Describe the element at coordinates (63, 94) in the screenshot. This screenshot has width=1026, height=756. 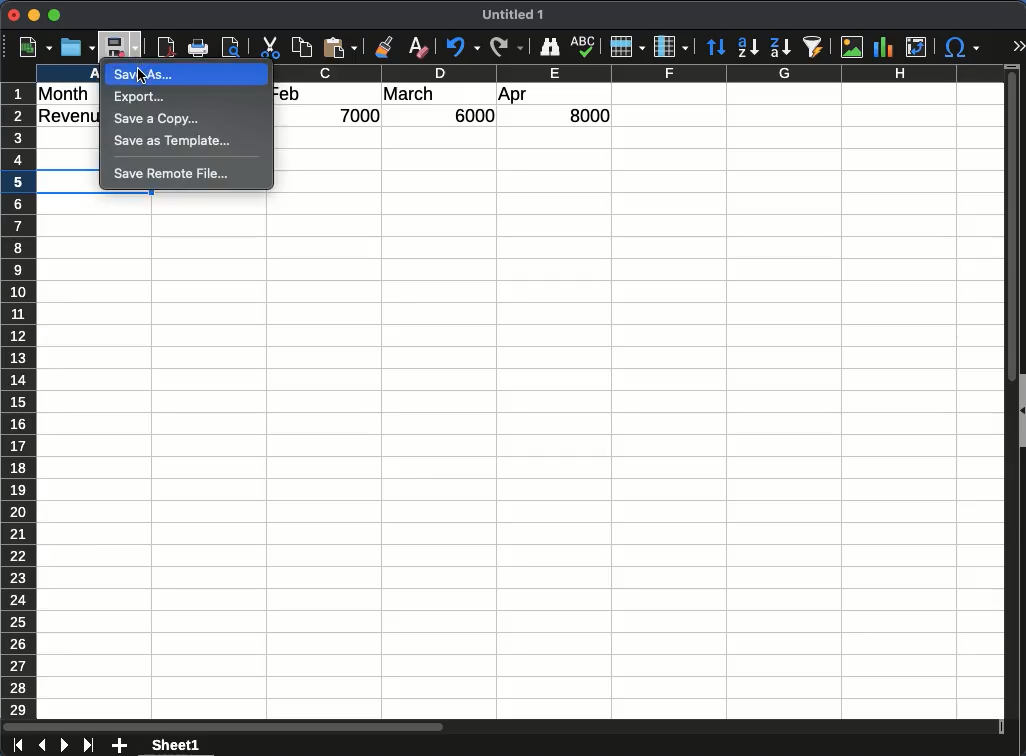
I see `month` at that location.